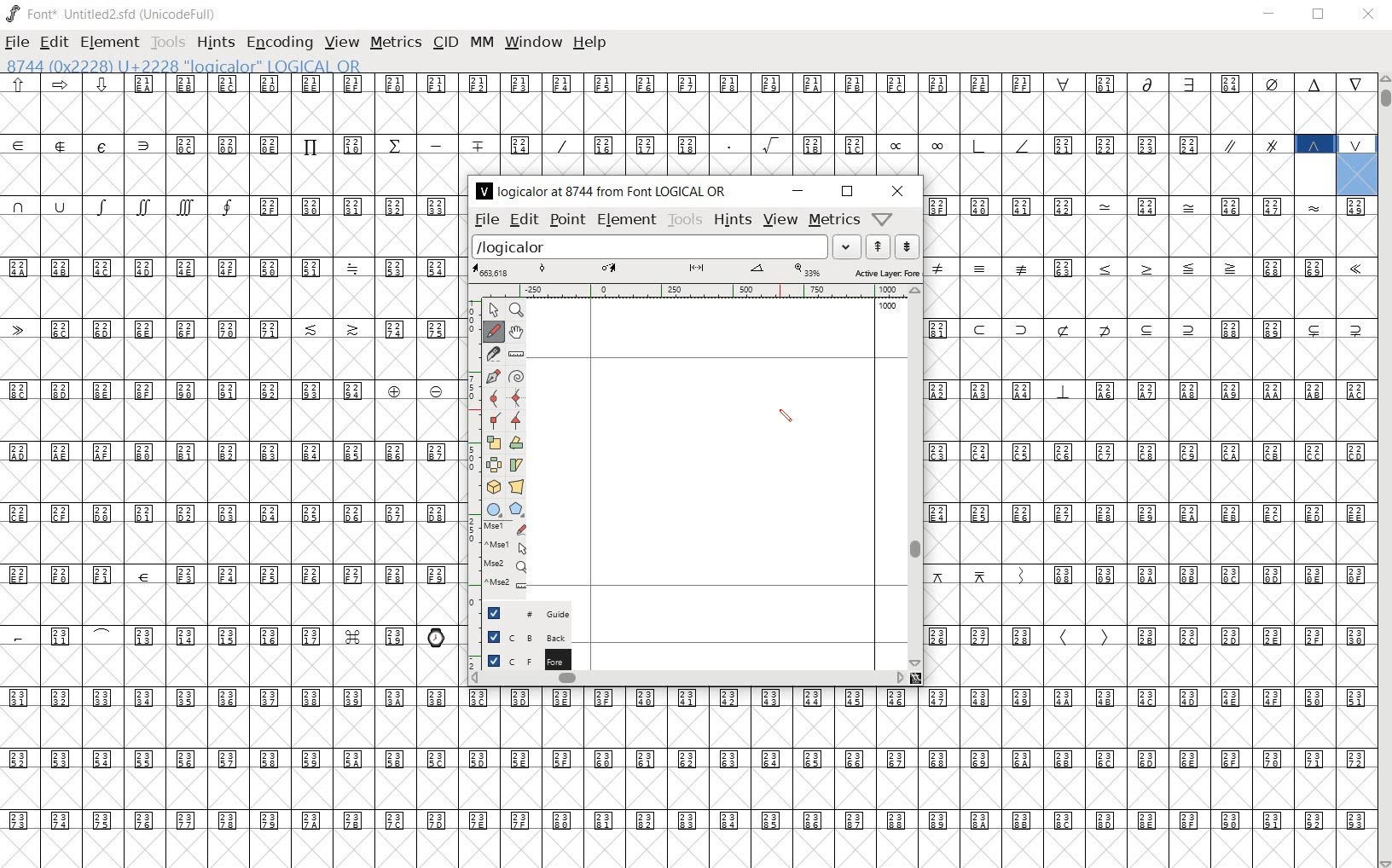 The height and width of the screenshot is (868, 1392). What do you see at coordinates (492, 374) in the screenshot?
I see `add a point, then drag out its control points` at bounding box center [492, 374].